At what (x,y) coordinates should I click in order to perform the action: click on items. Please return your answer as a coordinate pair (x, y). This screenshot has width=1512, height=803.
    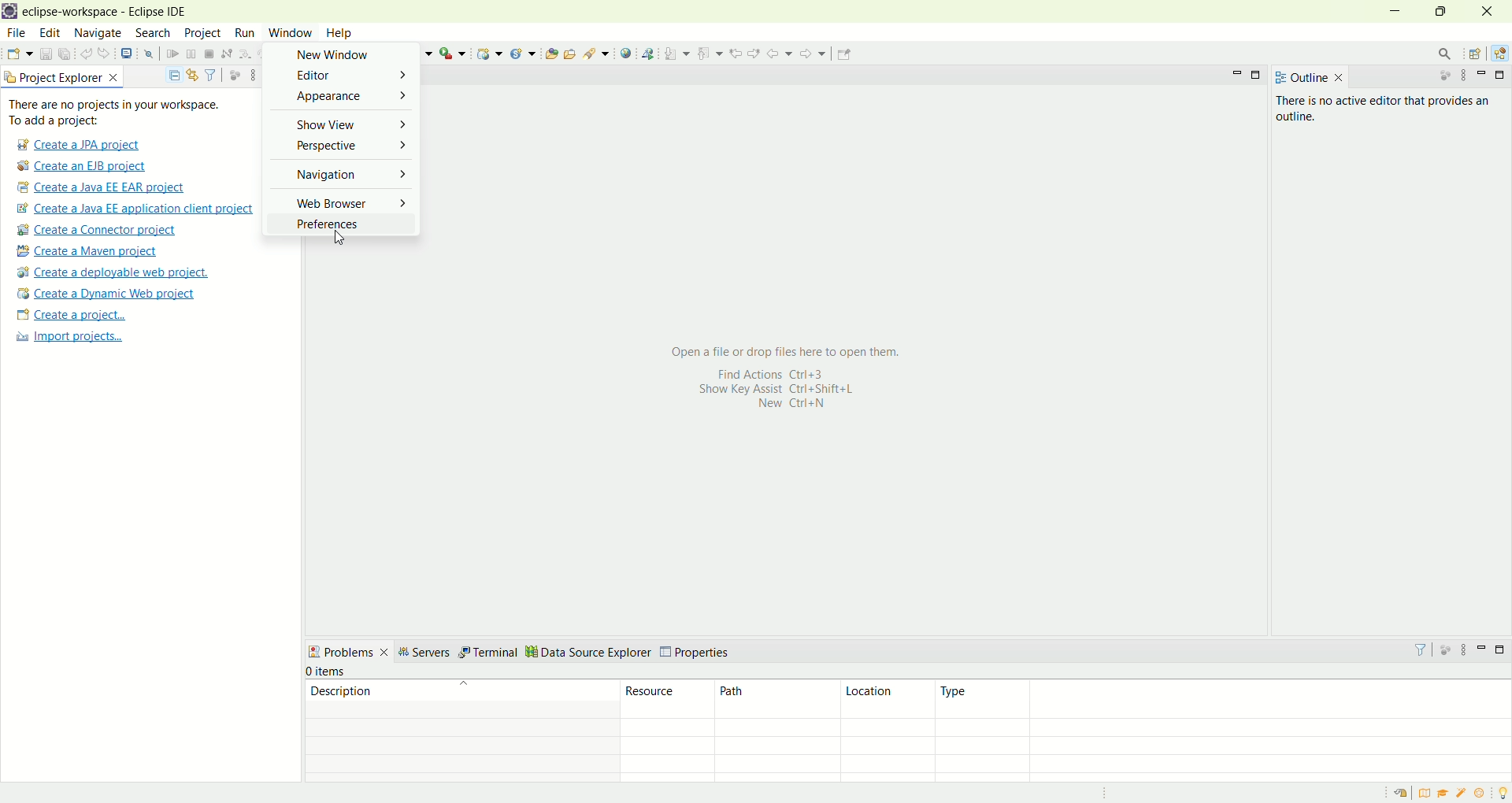
    Looking at the image, I should click on (330, 672).